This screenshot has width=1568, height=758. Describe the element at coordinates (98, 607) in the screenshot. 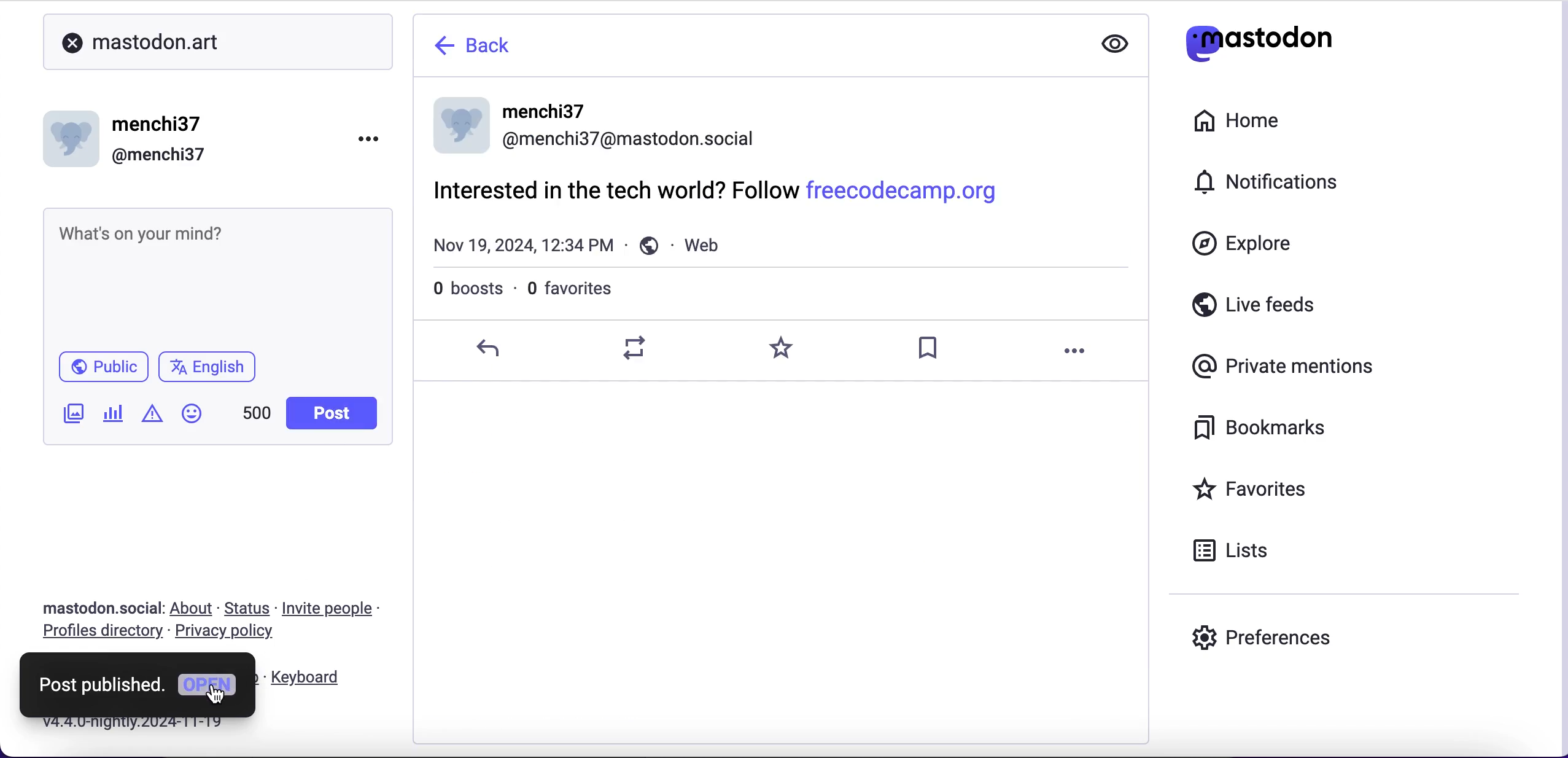

I see `mastodon.social` at that location.